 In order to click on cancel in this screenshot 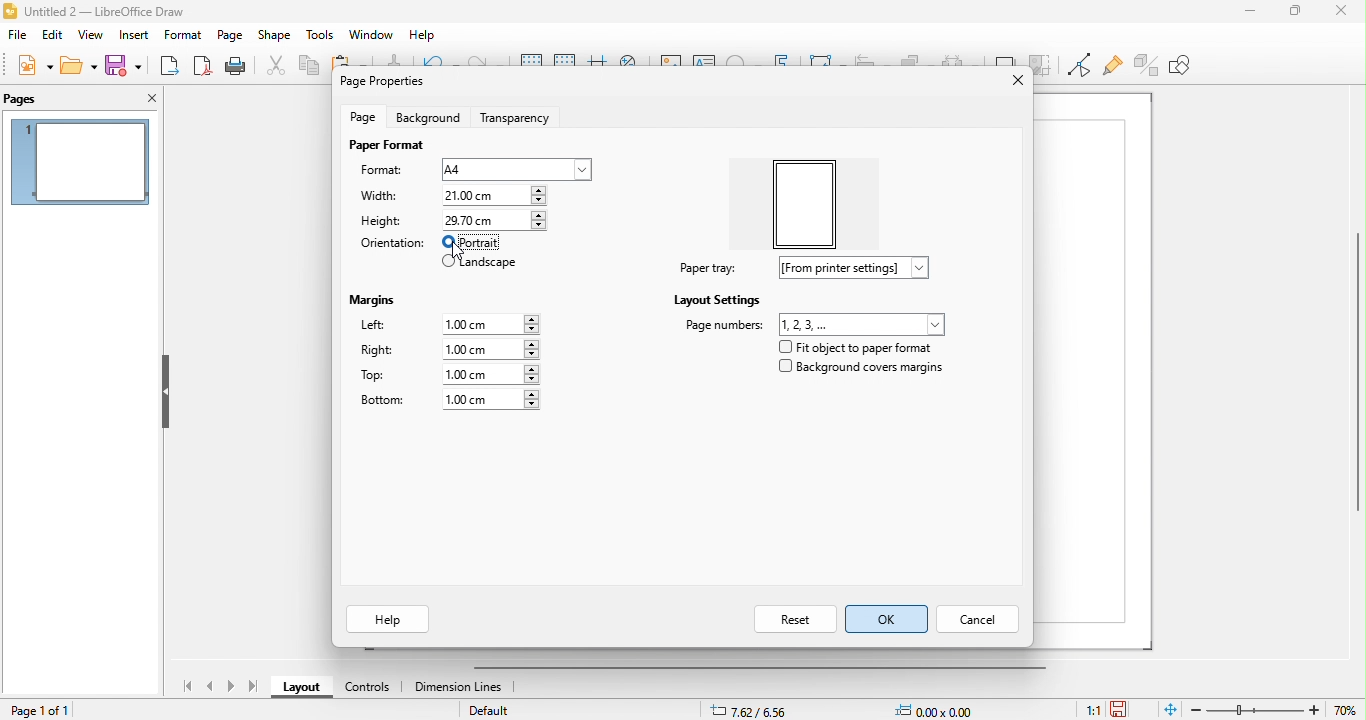, I will do `click(978, 621)`.